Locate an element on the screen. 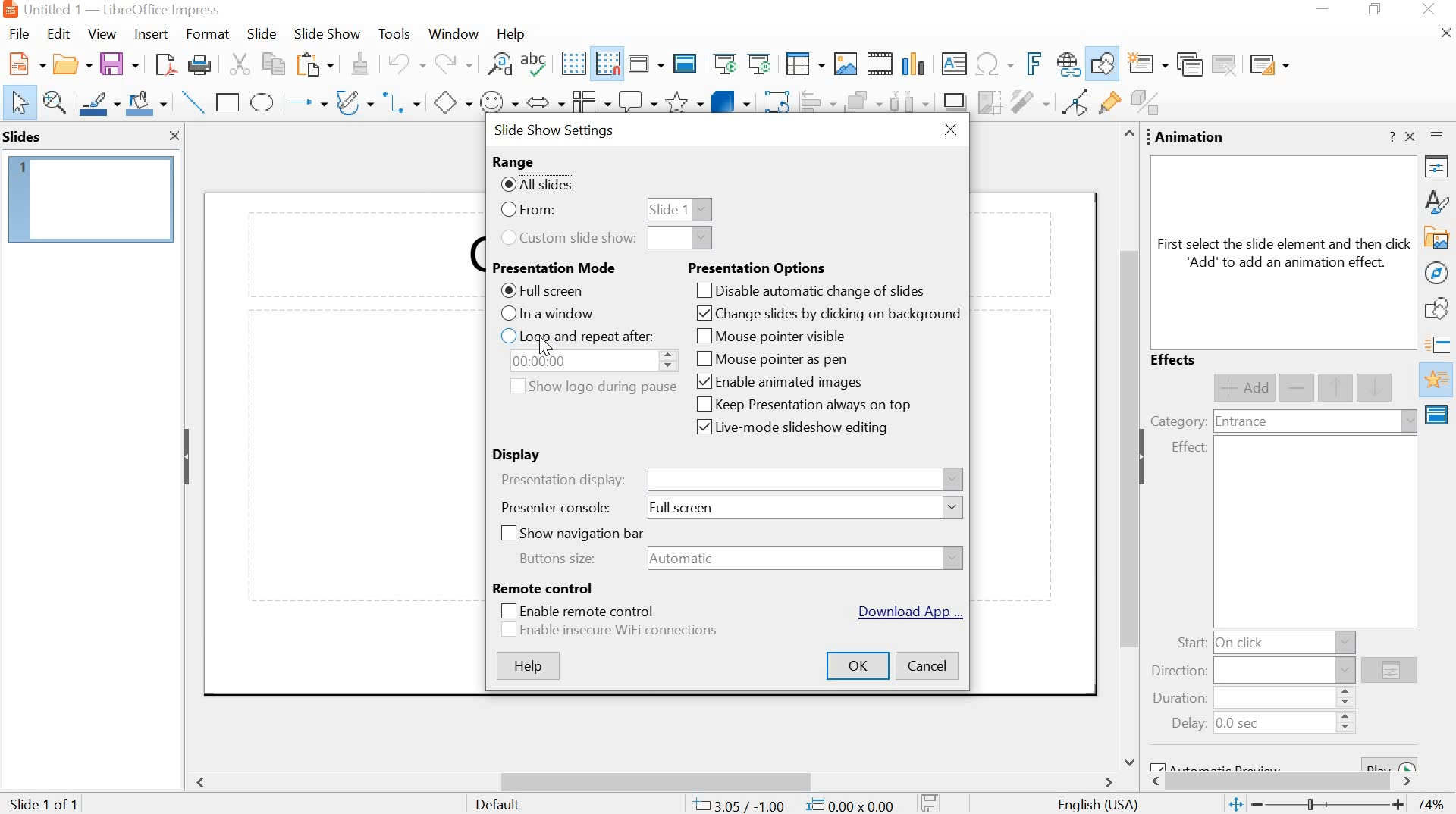 Image resolution: width=1456 pixels, height=814 pixels. app icon is located at coordinates (9, 10).